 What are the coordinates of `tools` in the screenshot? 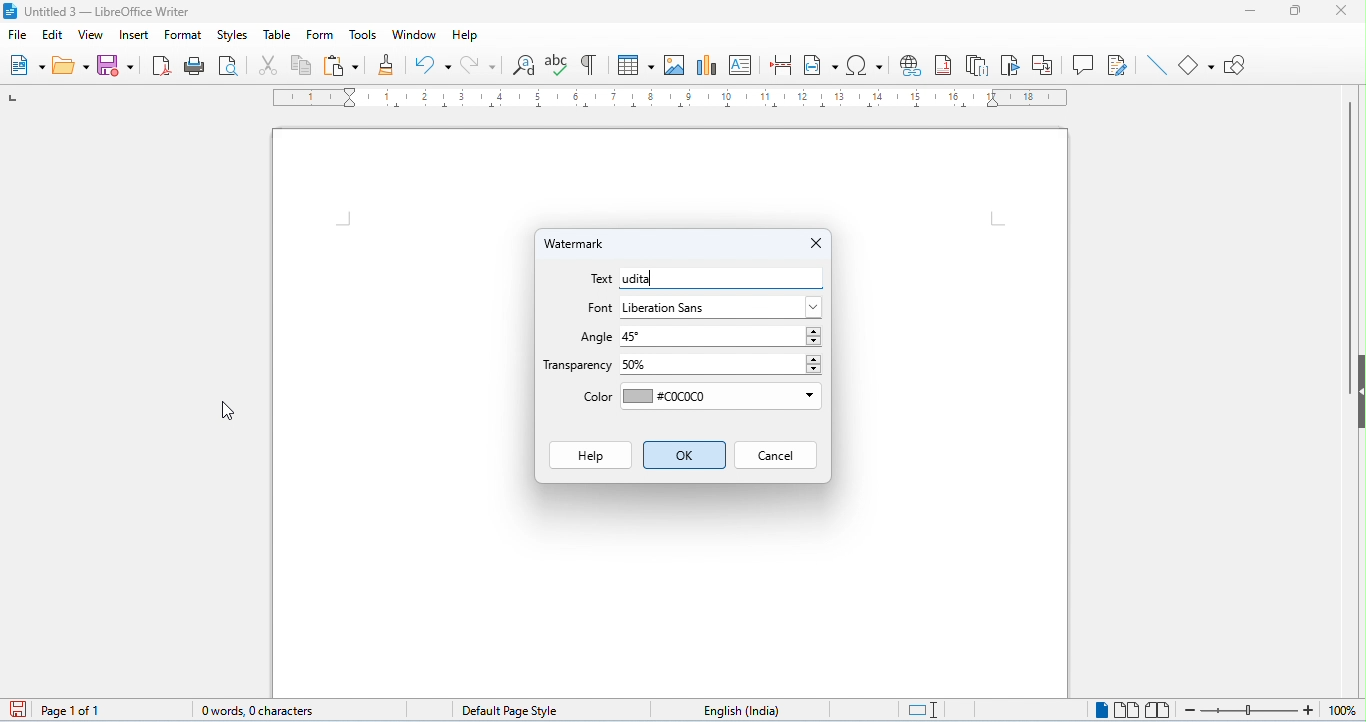 It's located at (365, 36).